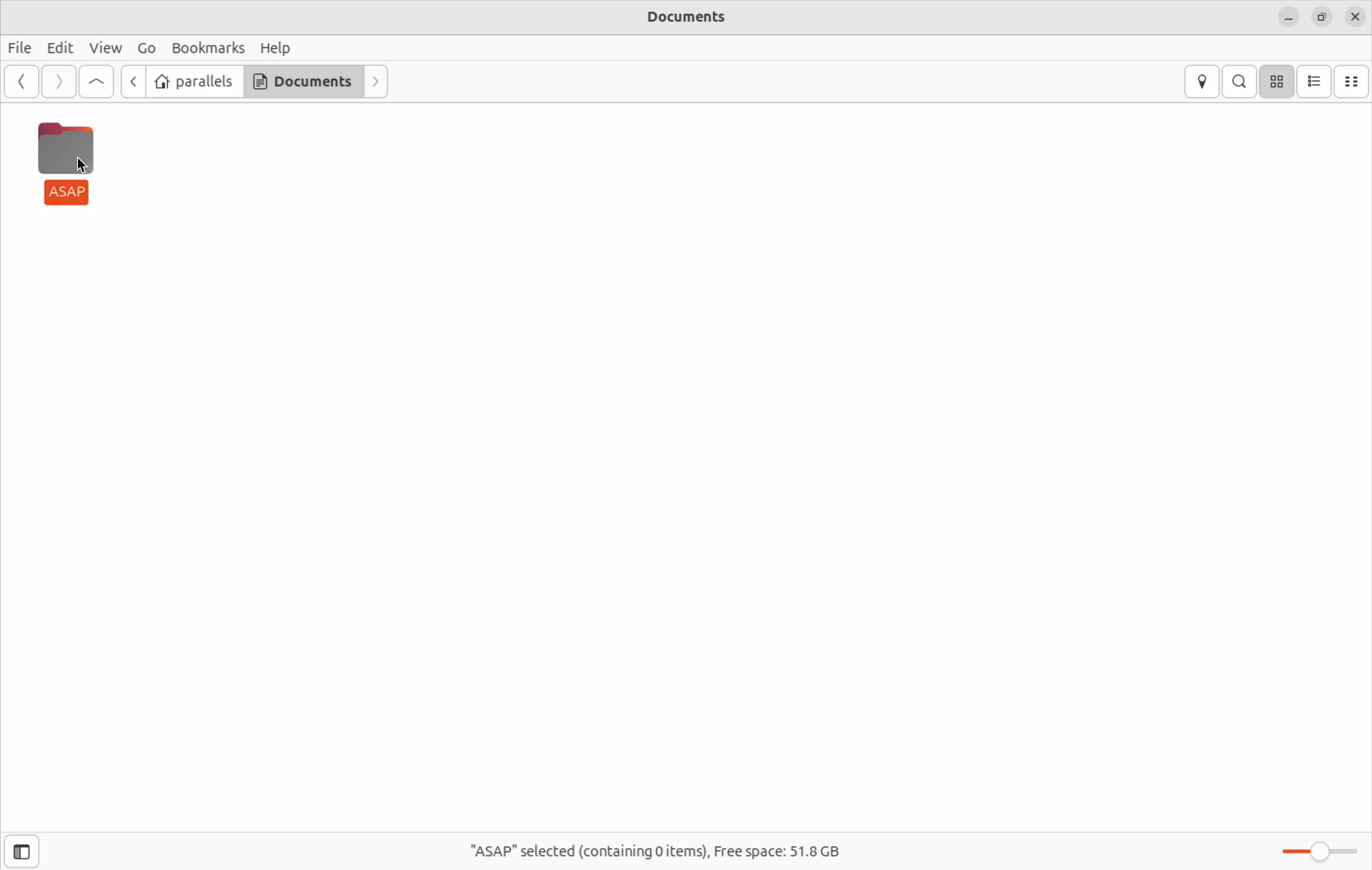 The width and height of the screenshot is (1372, 870). Describe the element at coordinates (1355, 79) in the screenshot. I see `compact view` at that location.